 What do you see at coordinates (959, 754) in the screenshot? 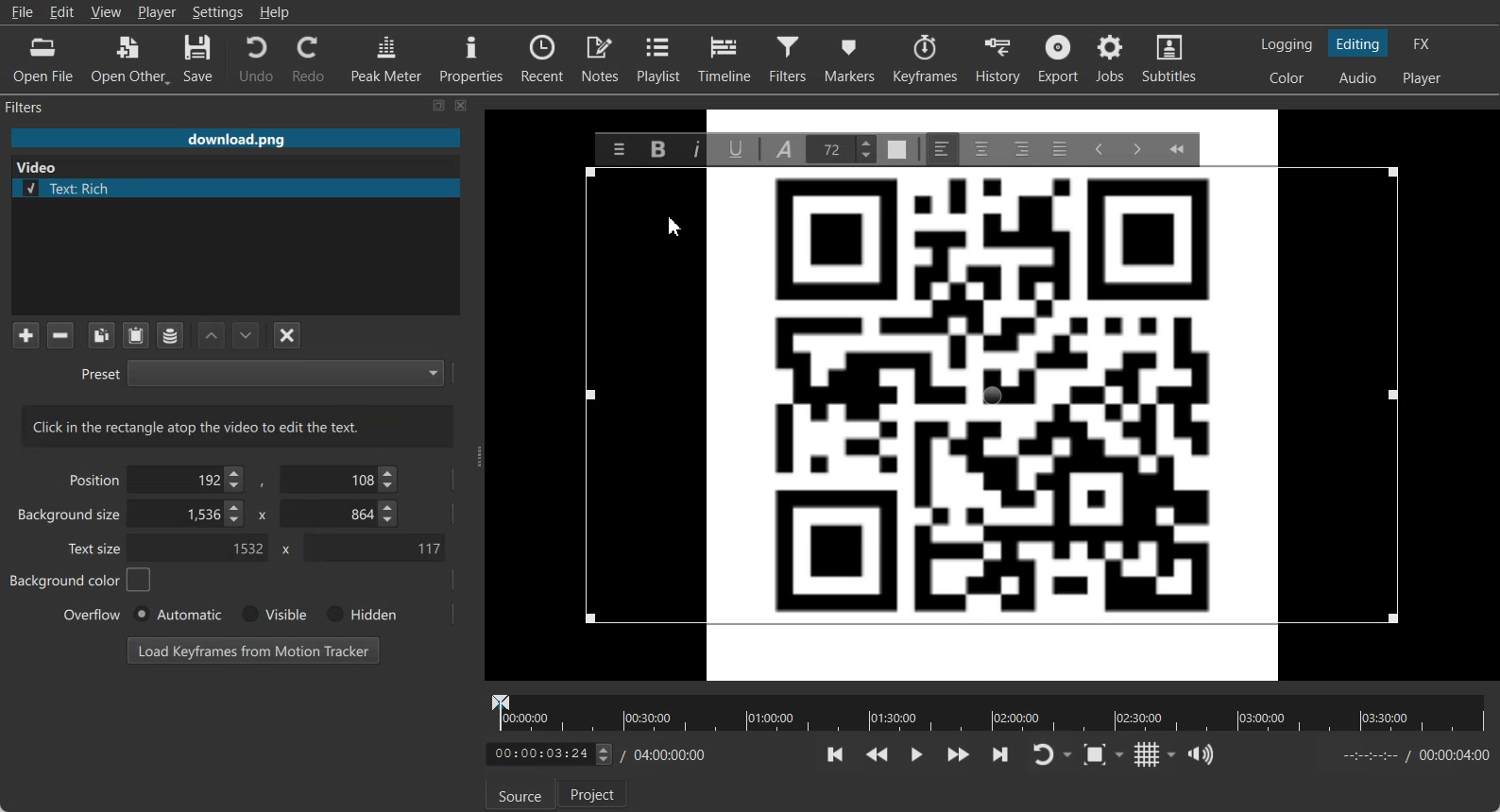
I see `Play Quickly Forward` at bounding box center [959, 754].